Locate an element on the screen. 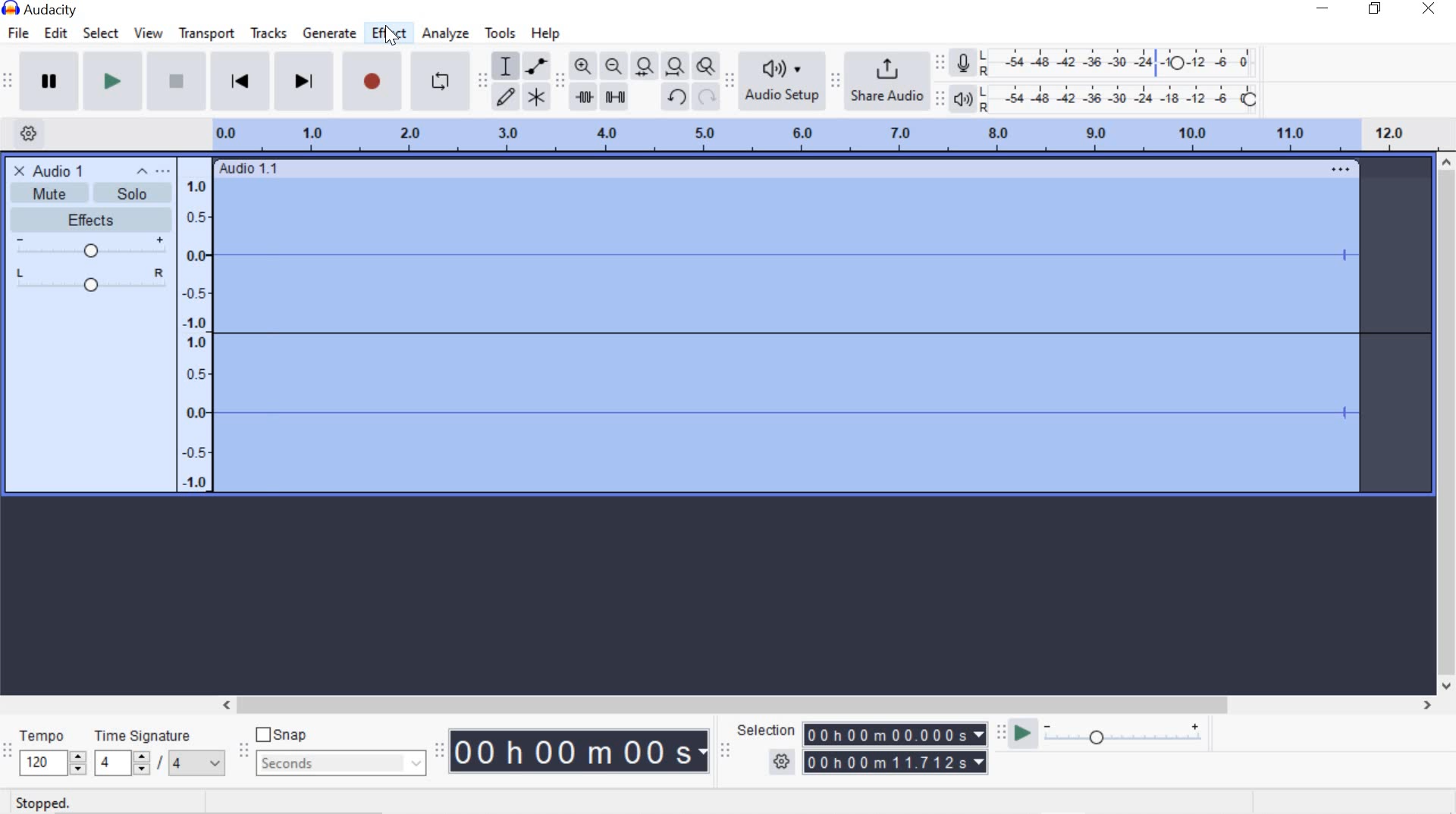 The width and height of the screenshot is (1456, 814). Timeline option is located at coordinates (23, 132).